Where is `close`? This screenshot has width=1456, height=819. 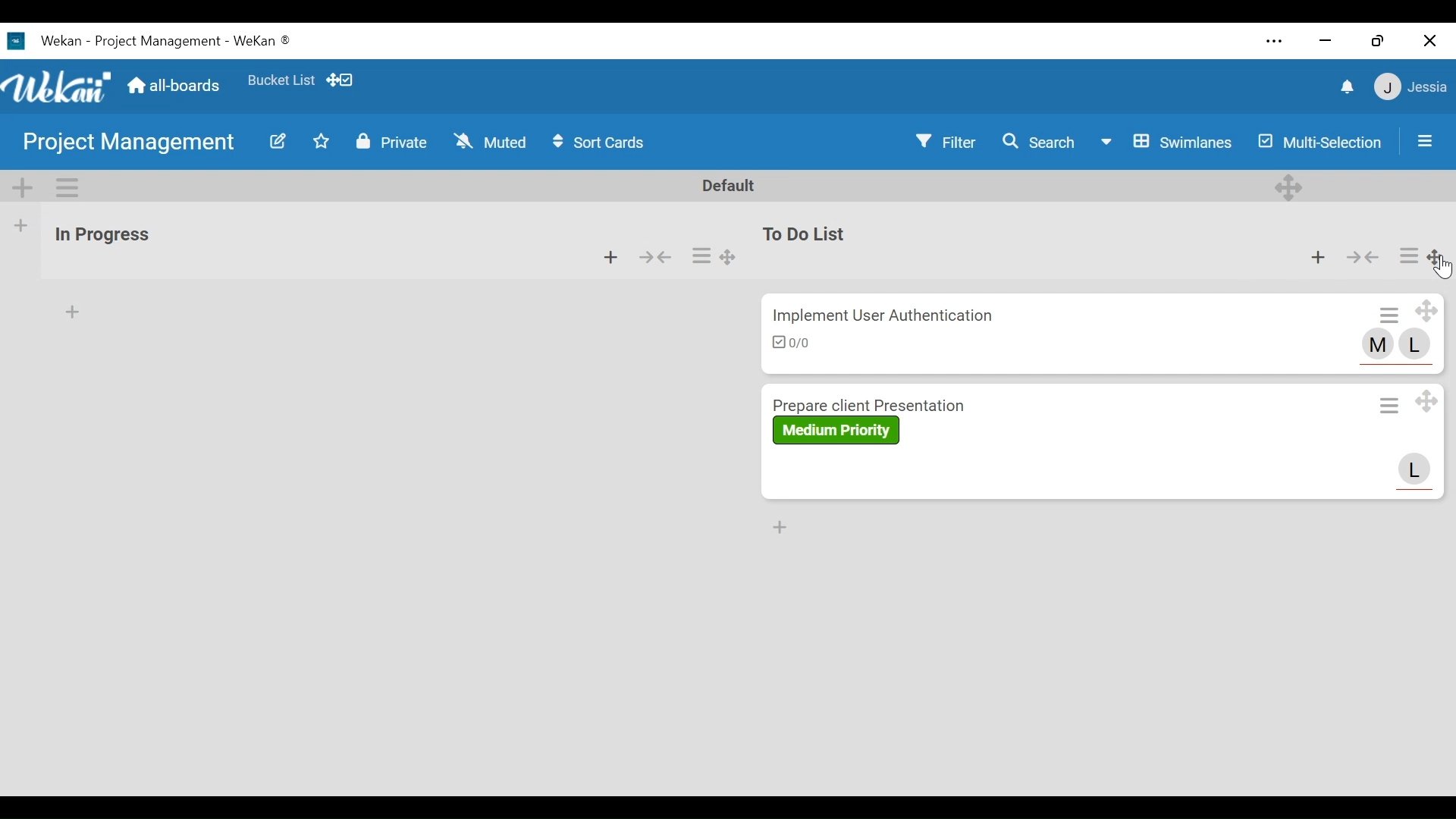 close is located at coordinates (1427, 40).